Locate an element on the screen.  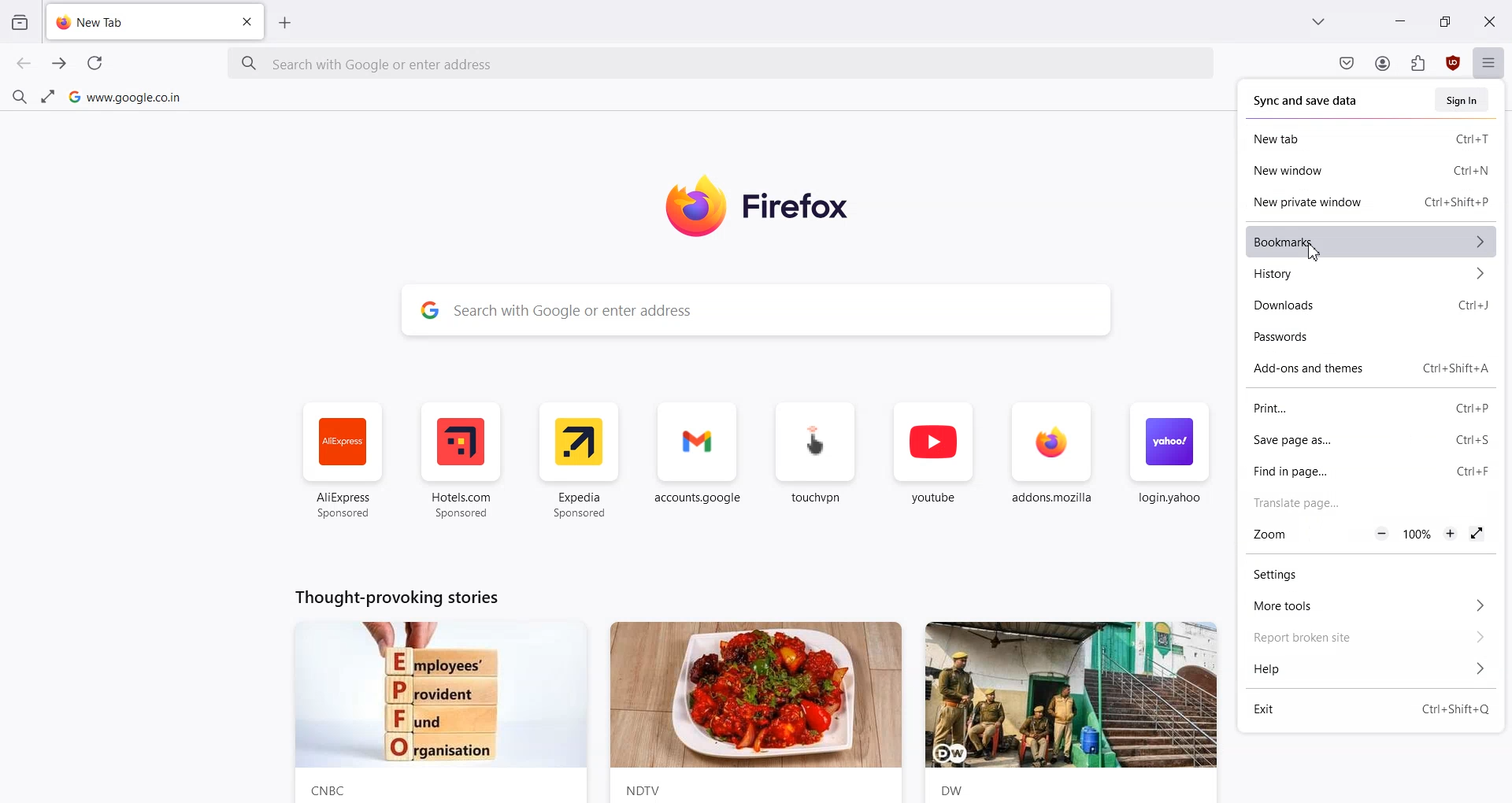
Extensions is located at coordinates (1418, 63).